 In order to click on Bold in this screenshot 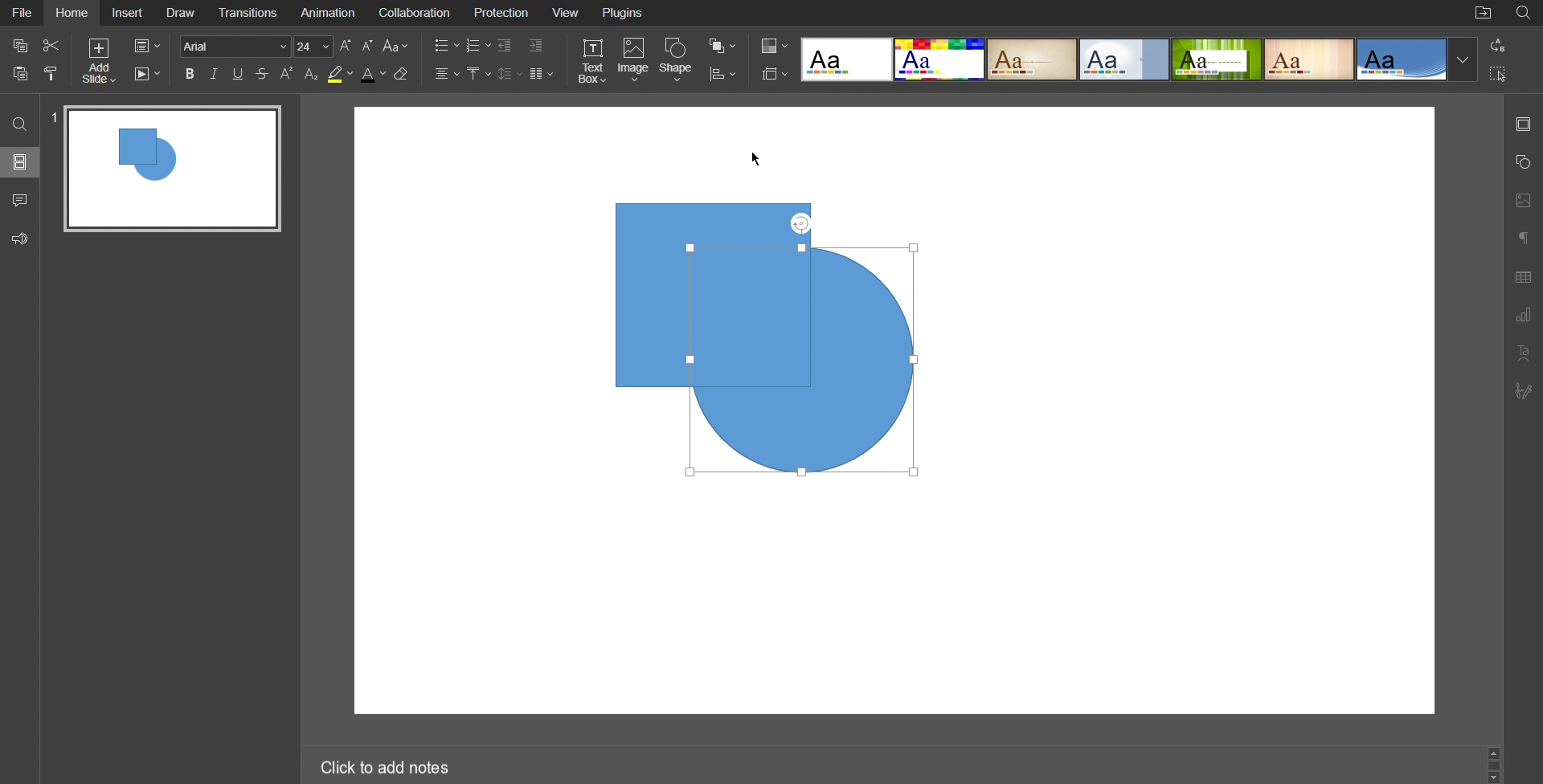, I will do `click(190, 75)`.